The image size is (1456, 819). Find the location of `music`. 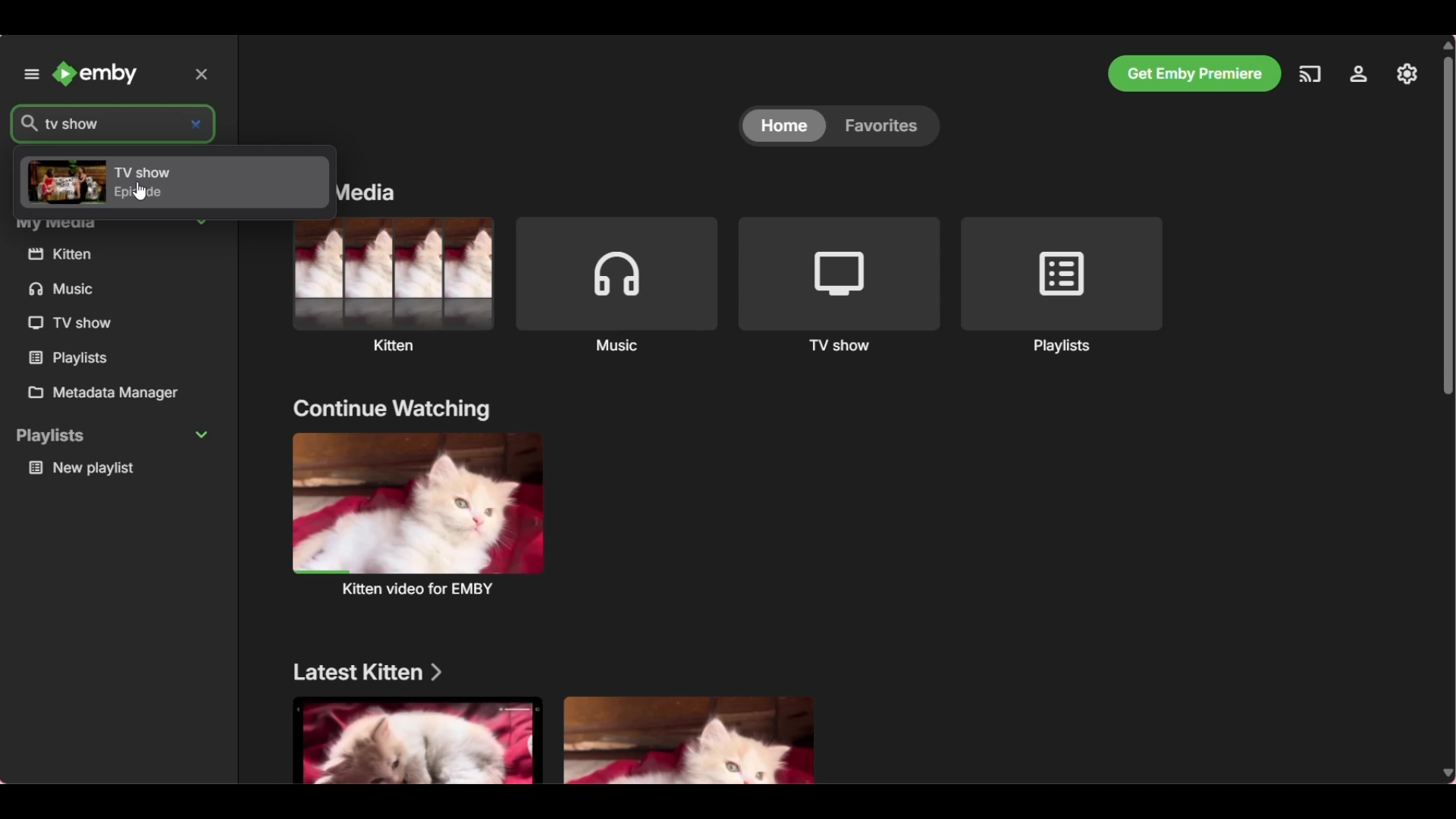

music is located at coordinates (74, 288).